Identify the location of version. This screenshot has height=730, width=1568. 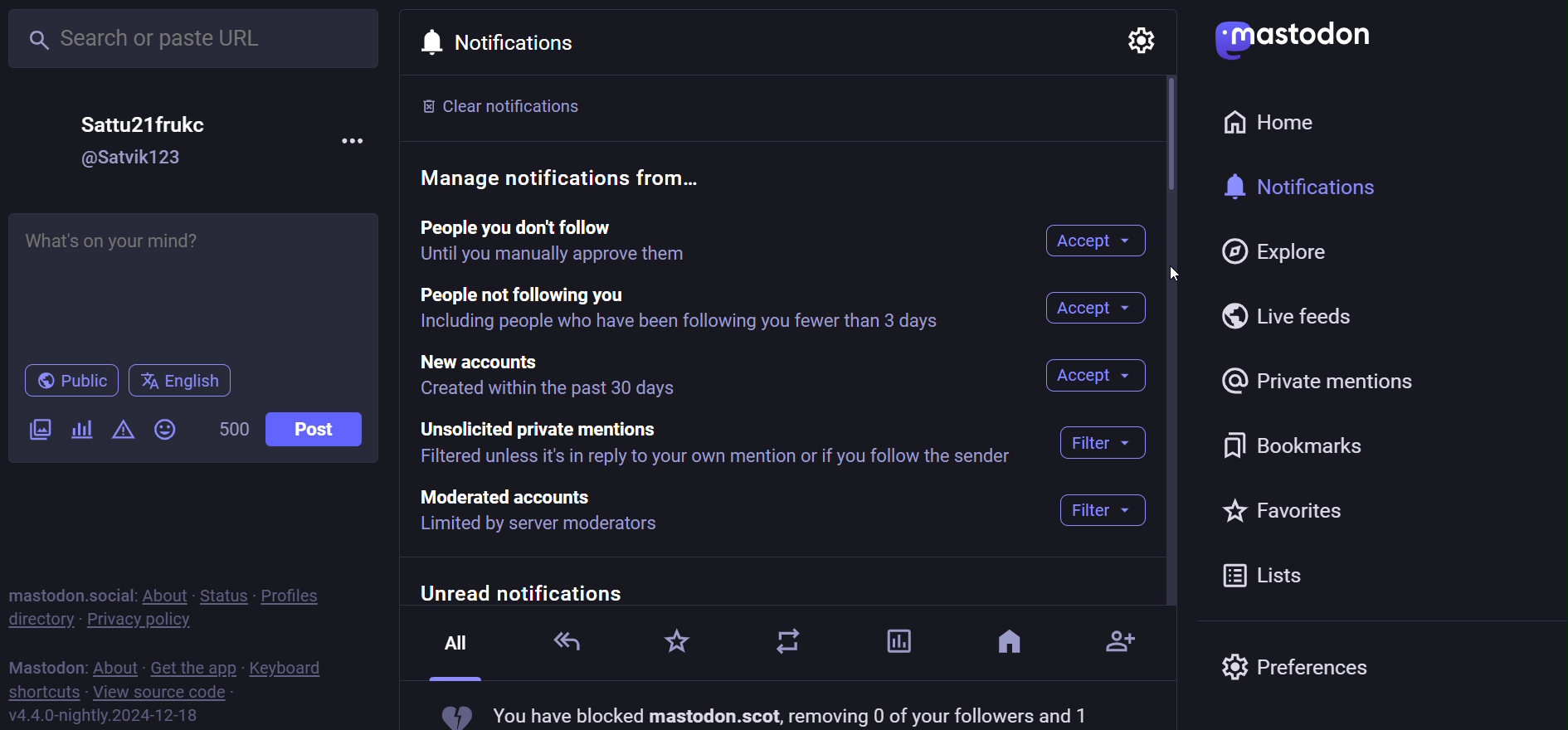
(105, 714).